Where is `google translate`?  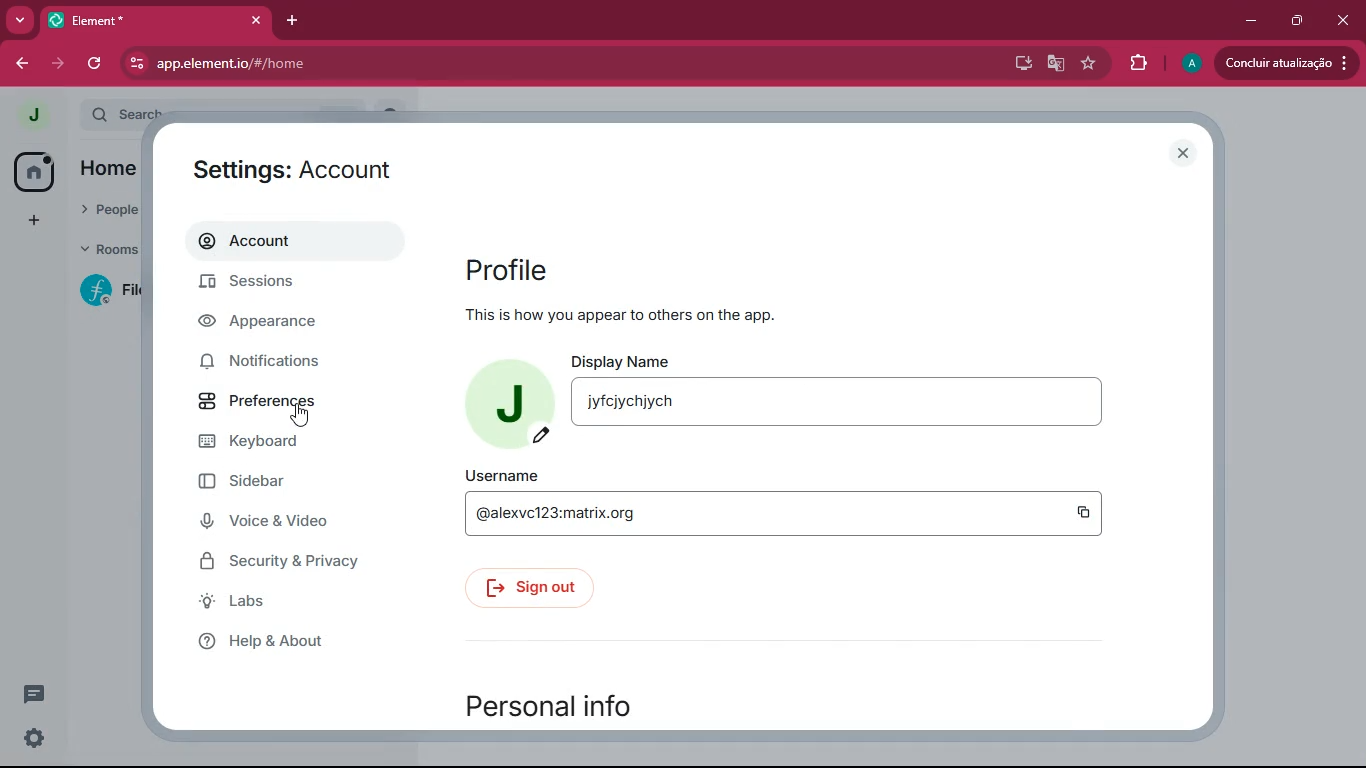 google translate is located at coordinates (1056, 65).